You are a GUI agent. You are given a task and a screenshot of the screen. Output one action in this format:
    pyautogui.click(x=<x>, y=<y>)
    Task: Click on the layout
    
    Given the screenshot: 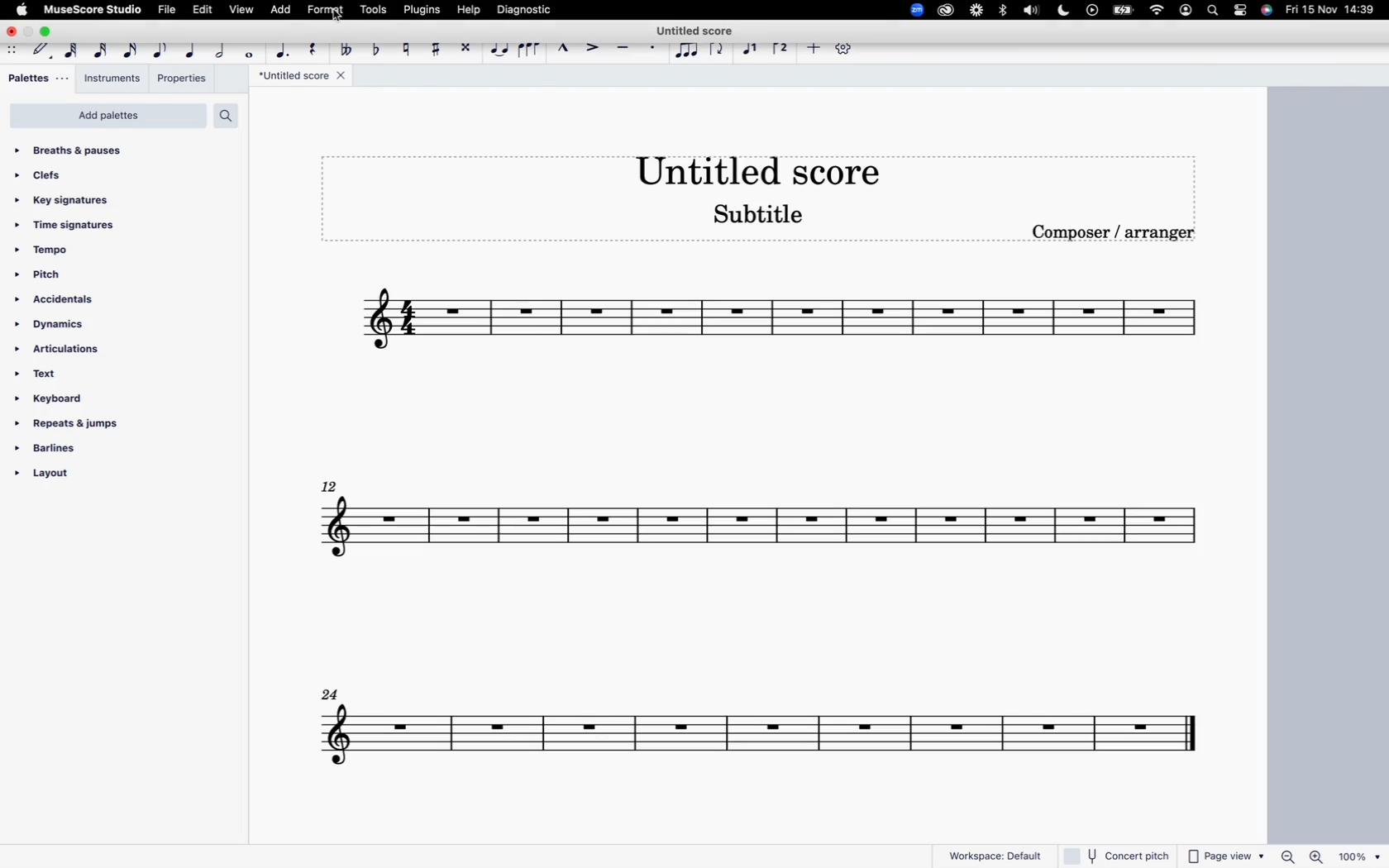 What is the action you would take?
    pyautogui.click(x=70, y=477)
    